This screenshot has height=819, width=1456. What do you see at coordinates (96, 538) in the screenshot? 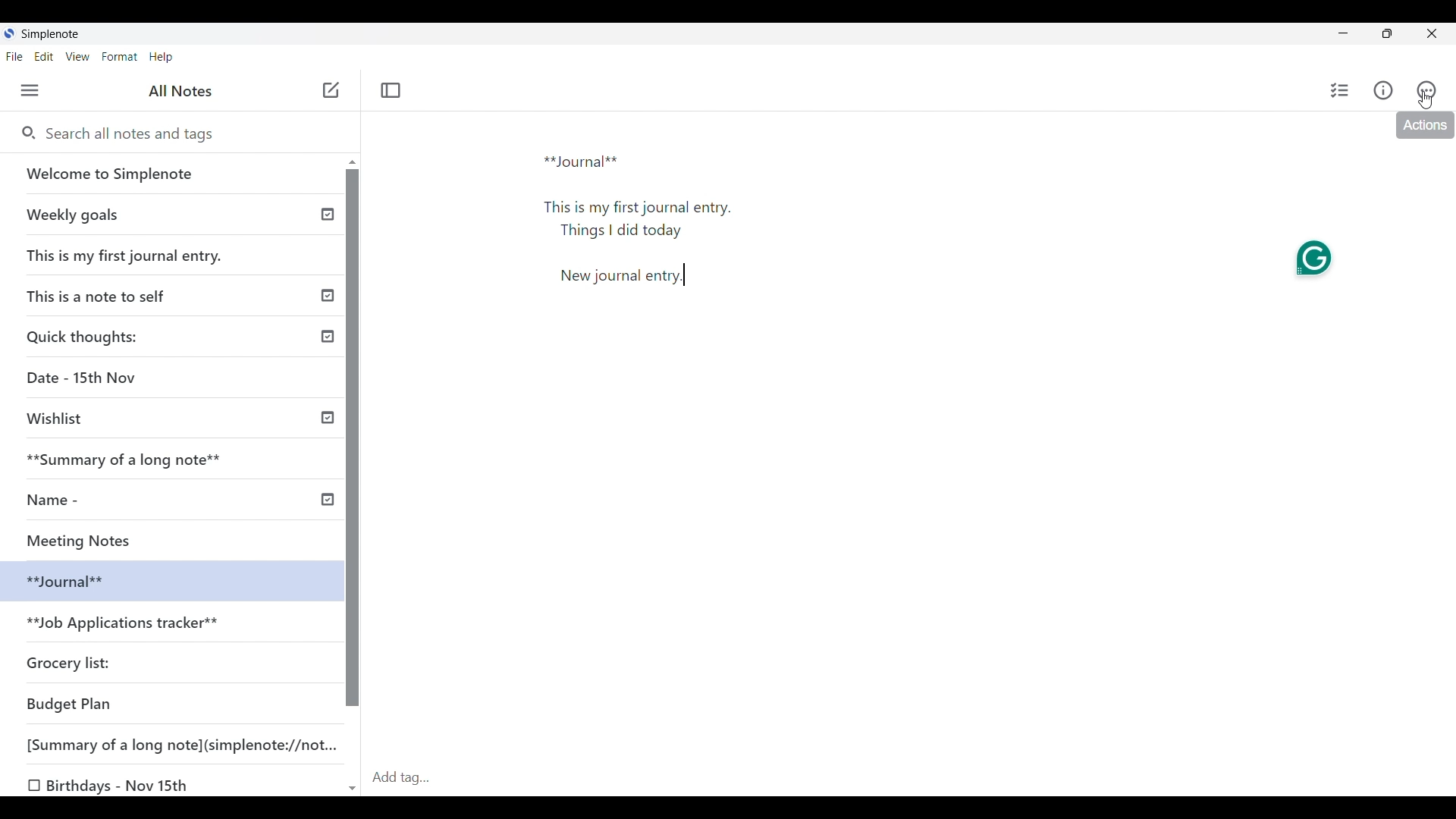
I see `Meeting Notes` at bounding box center [96, 538].